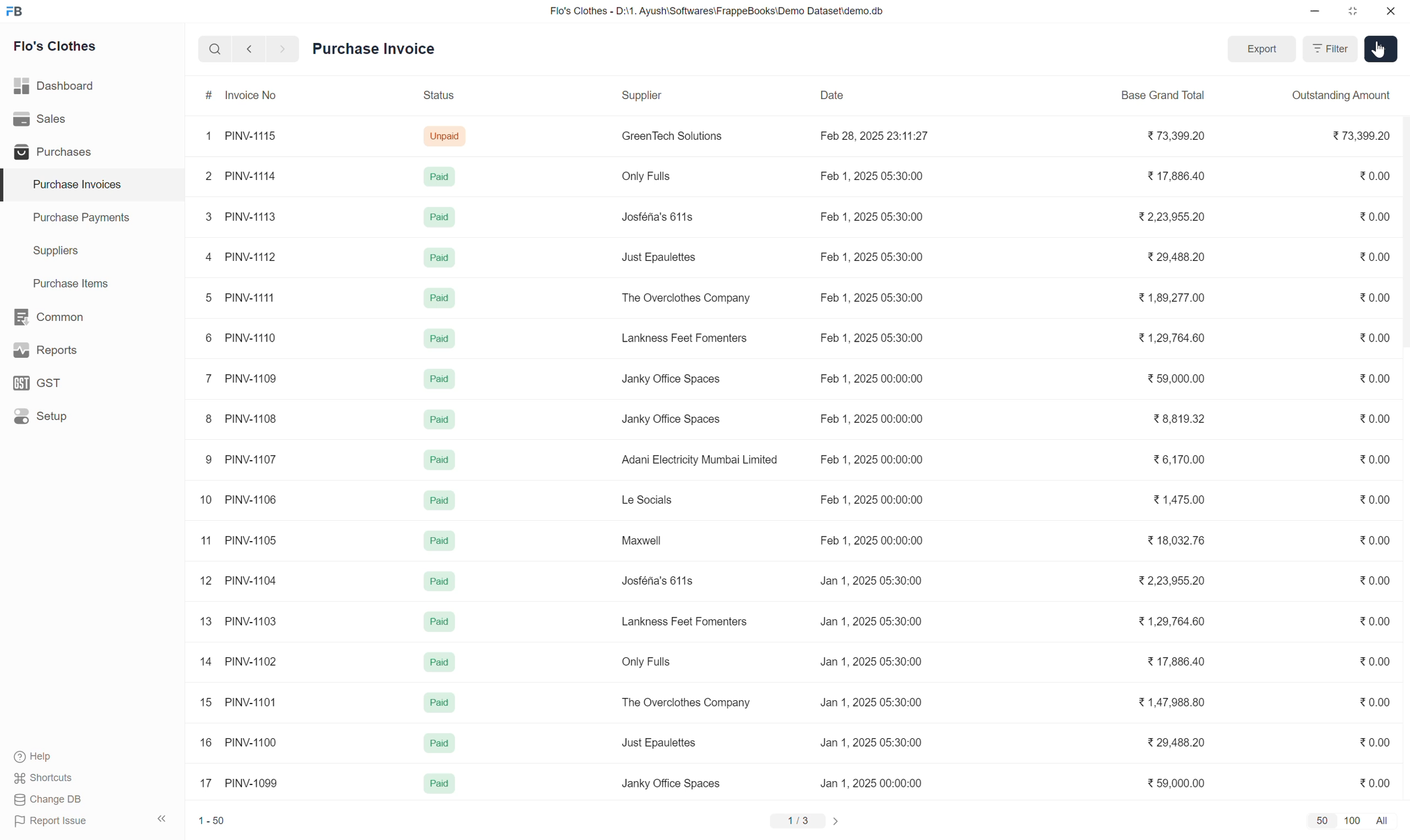  Describe the element at coordinates (794, 821) in the screenshot. I see `1/3` at that location.